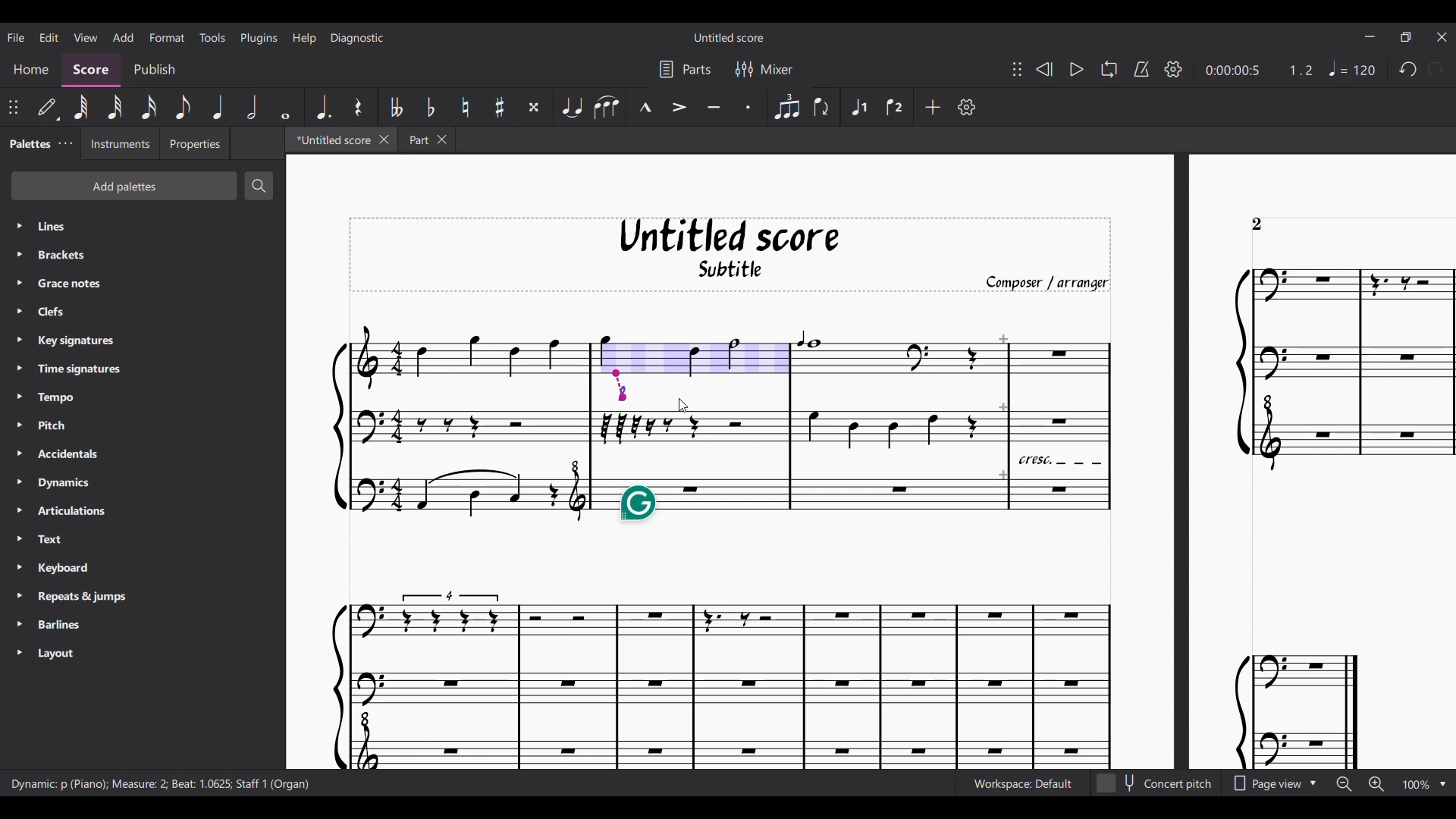 The width and height of the screenshot is (1456, 819). Describe the element at coordinates (81, 107) in the screenshot. I see `64th note` at that location.